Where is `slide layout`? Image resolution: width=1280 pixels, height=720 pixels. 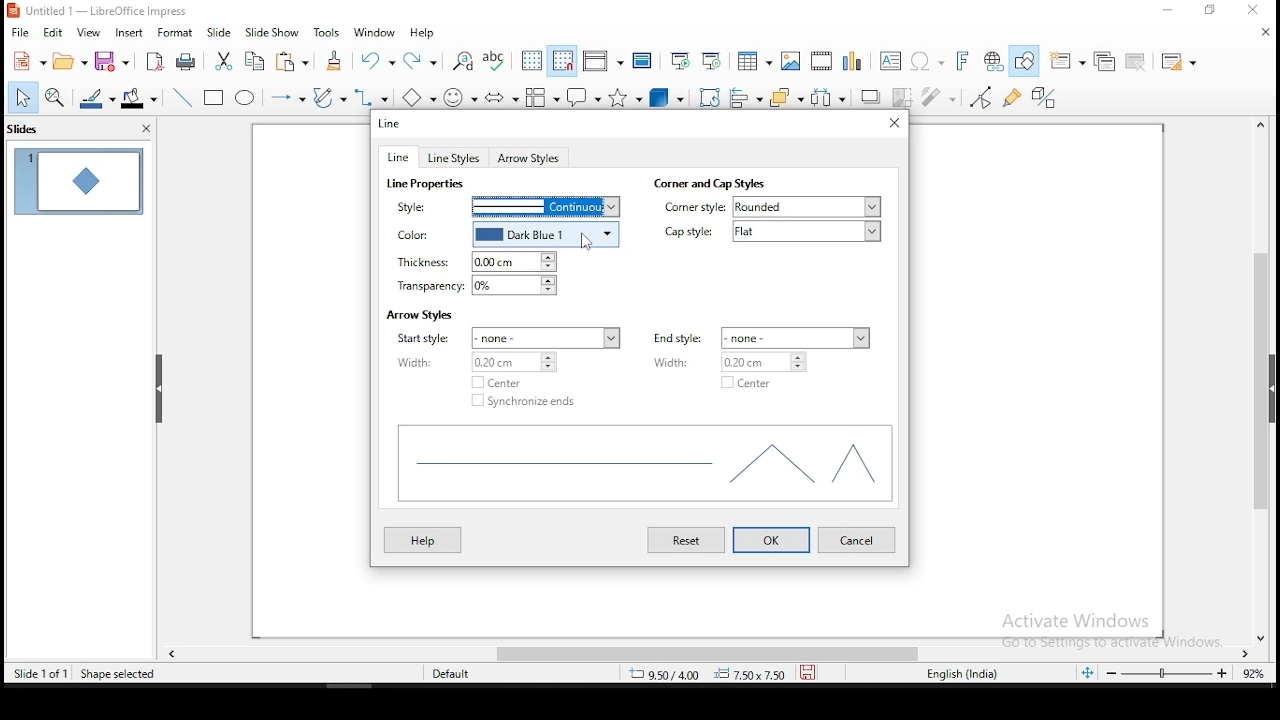
slide layout is located at coordinates (1182, 62).